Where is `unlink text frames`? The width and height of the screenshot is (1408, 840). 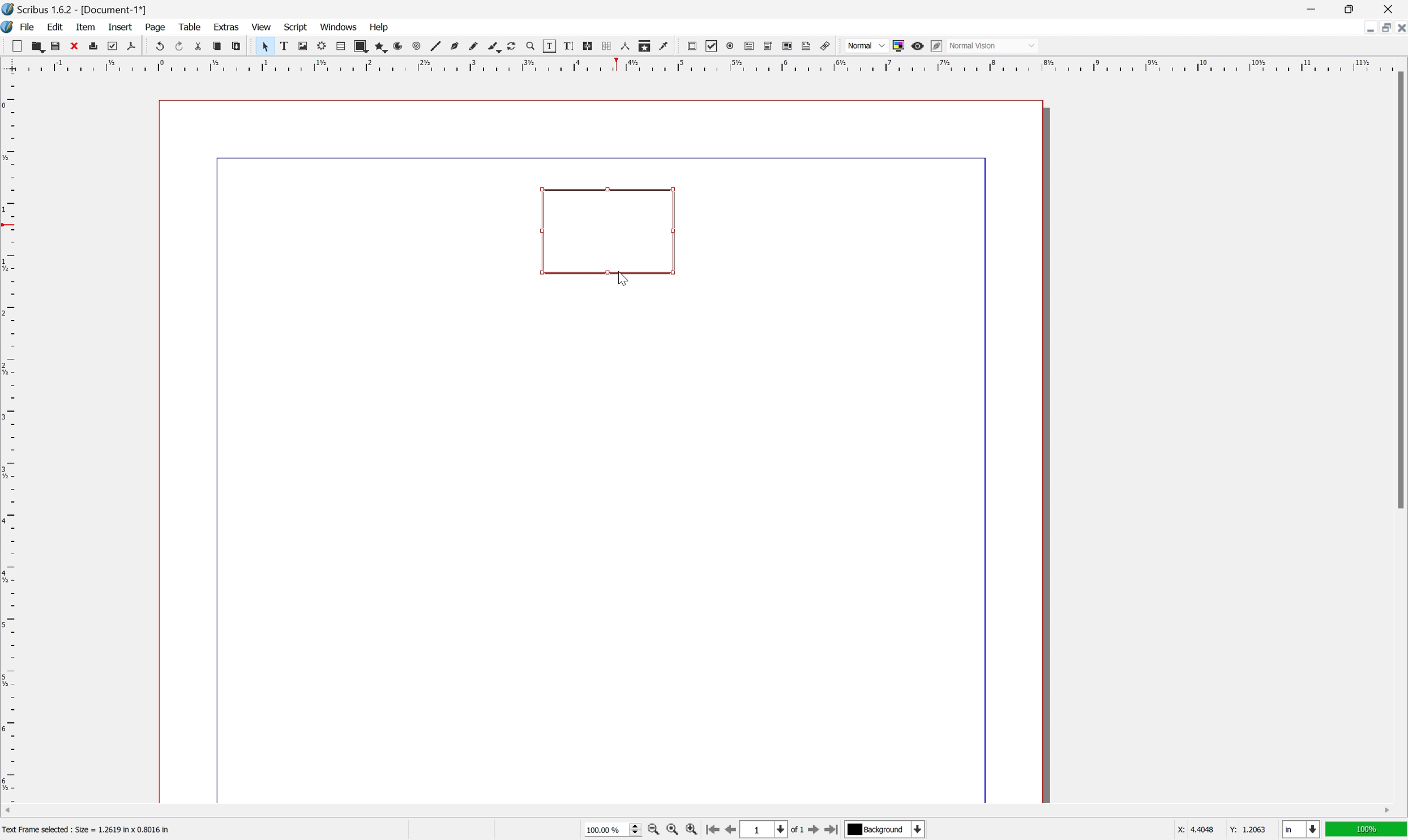 unlink text frames is located at coordinates (606, 46).